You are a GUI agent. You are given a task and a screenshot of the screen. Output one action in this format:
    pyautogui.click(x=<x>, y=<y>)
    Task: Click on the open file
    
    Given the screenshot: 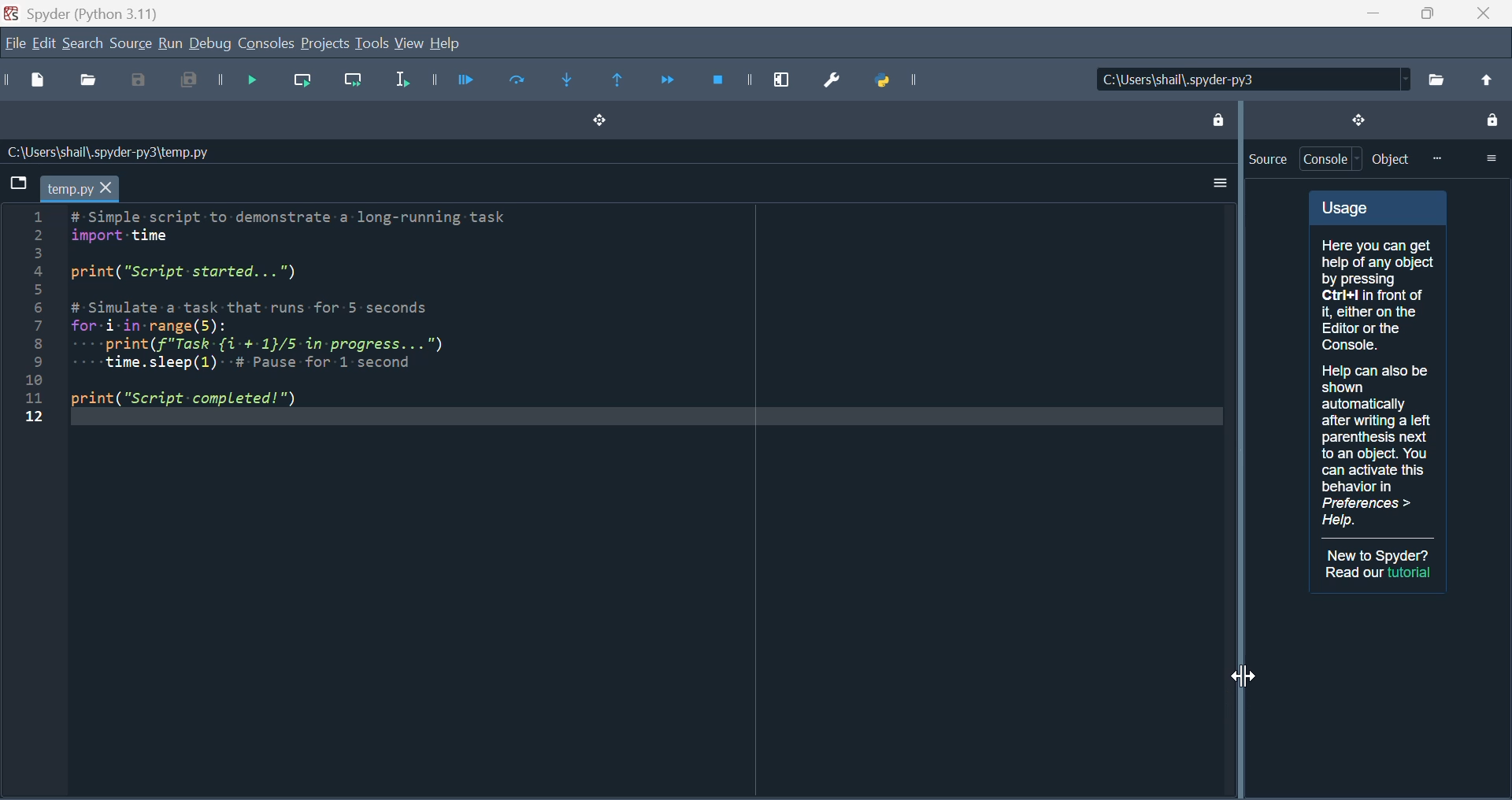 What is the action you would take?
    pyautogui.click(x=91, y=83)
    